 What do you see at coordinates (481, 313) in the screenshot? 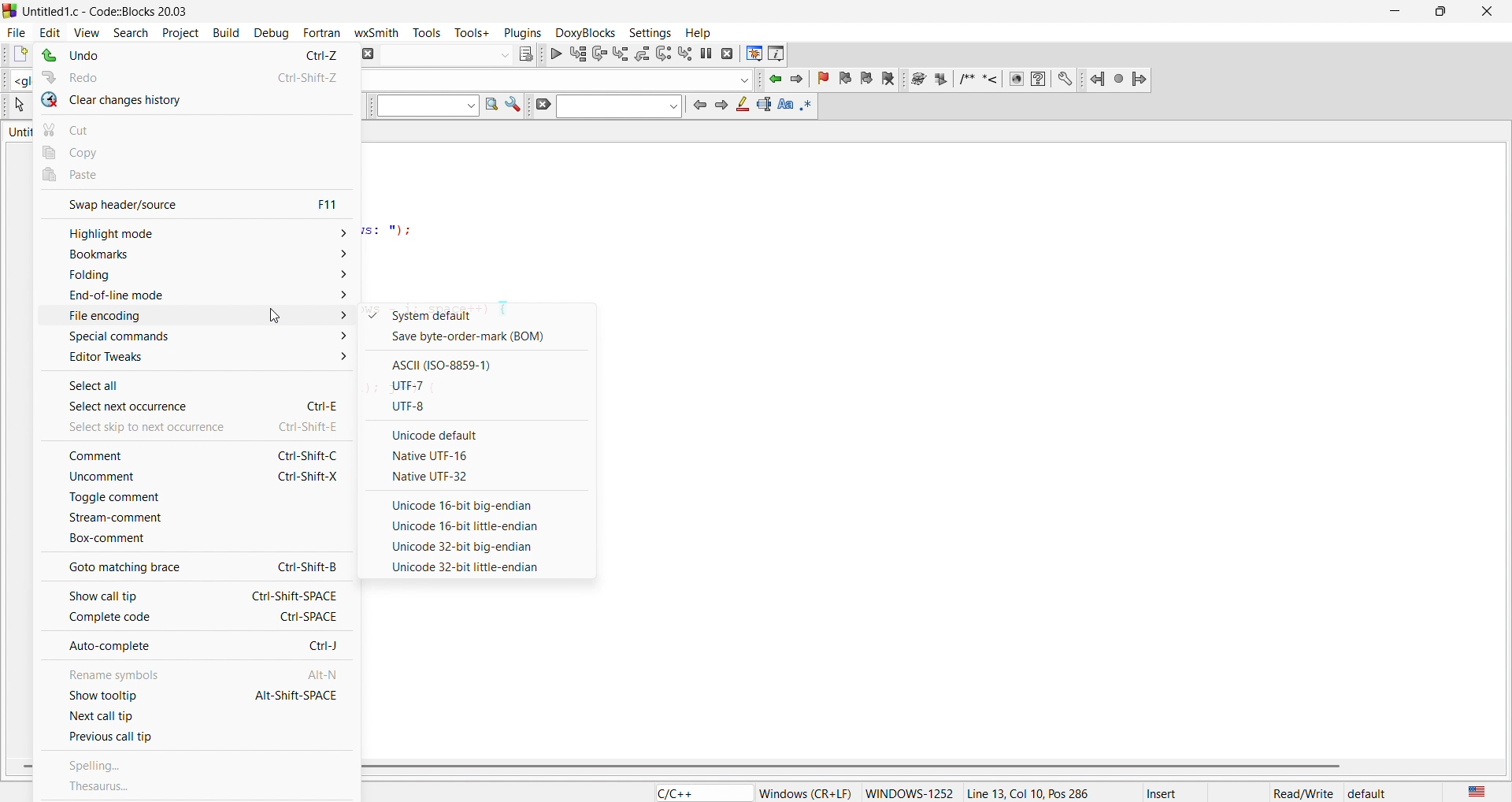
I see `system default` at bounding box center [481, 313].